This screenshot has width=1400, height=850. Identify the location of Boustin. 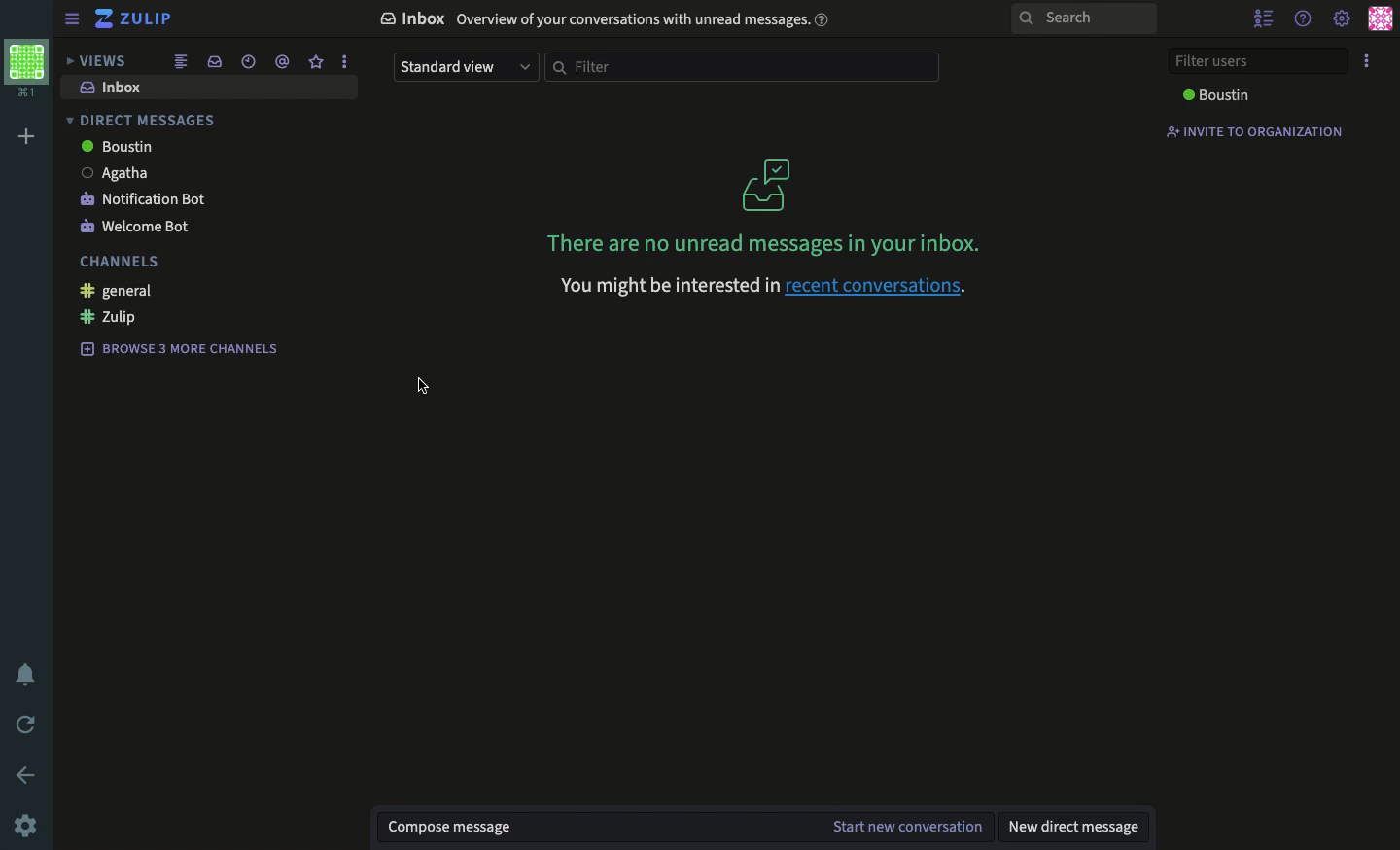
(118, 147).